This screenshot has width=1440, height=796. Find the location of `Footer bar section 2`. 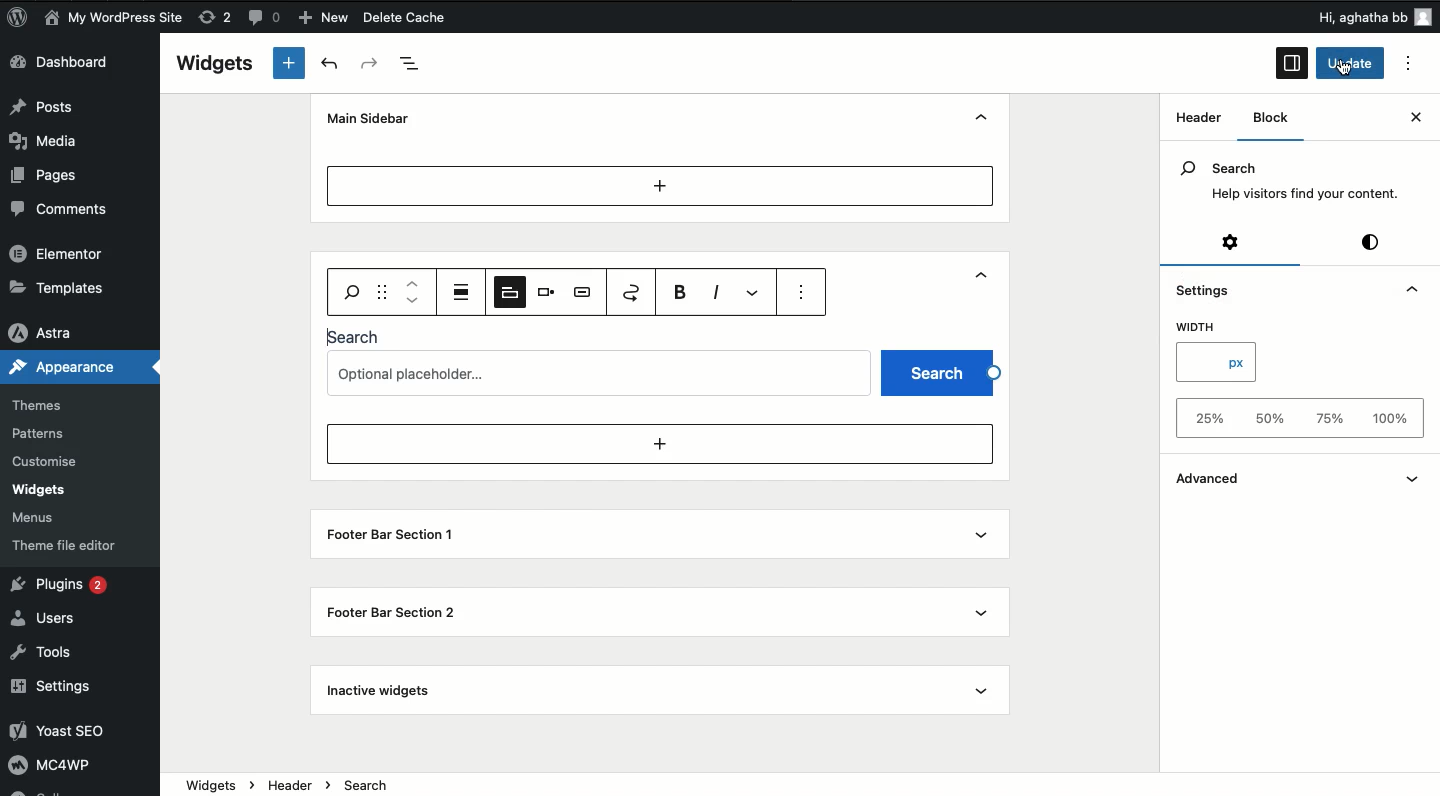

Footer bar section 2 is located at coordinates (392, 611).